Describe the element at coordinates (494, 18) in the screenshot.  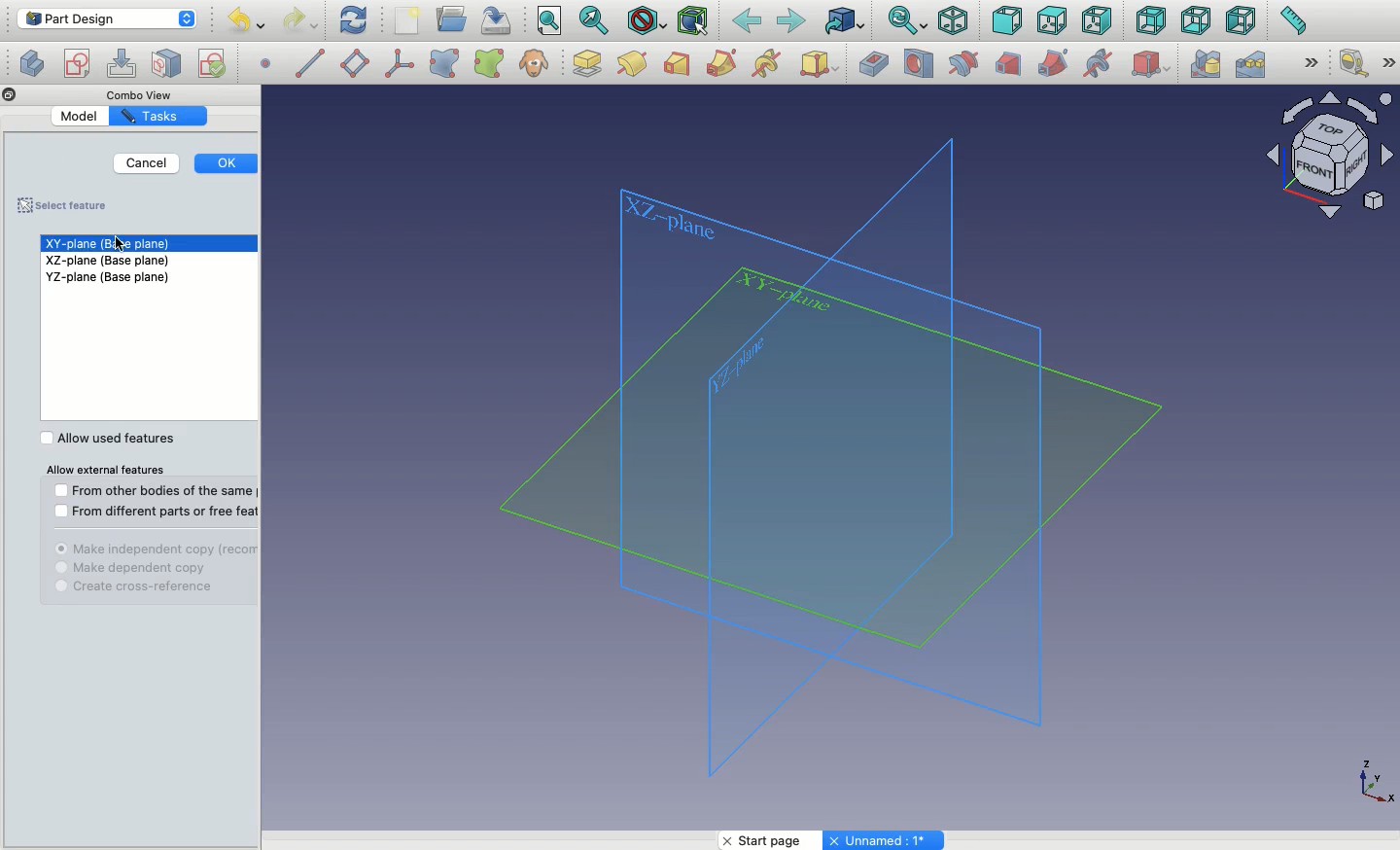
I see `Save` at that location.